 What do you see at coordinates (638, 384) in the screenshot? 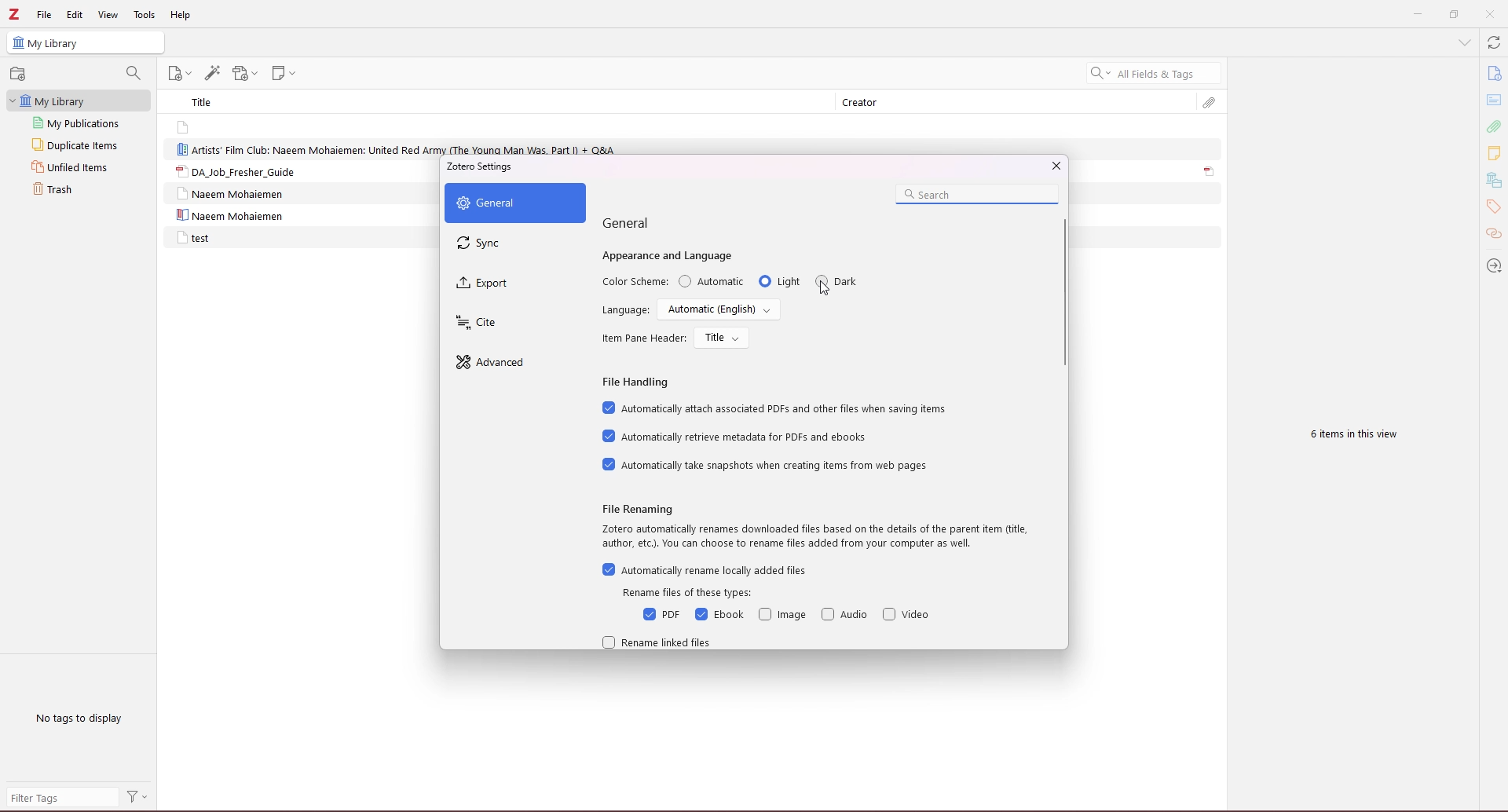
I see `file handling` at bounding box center [638, 384].